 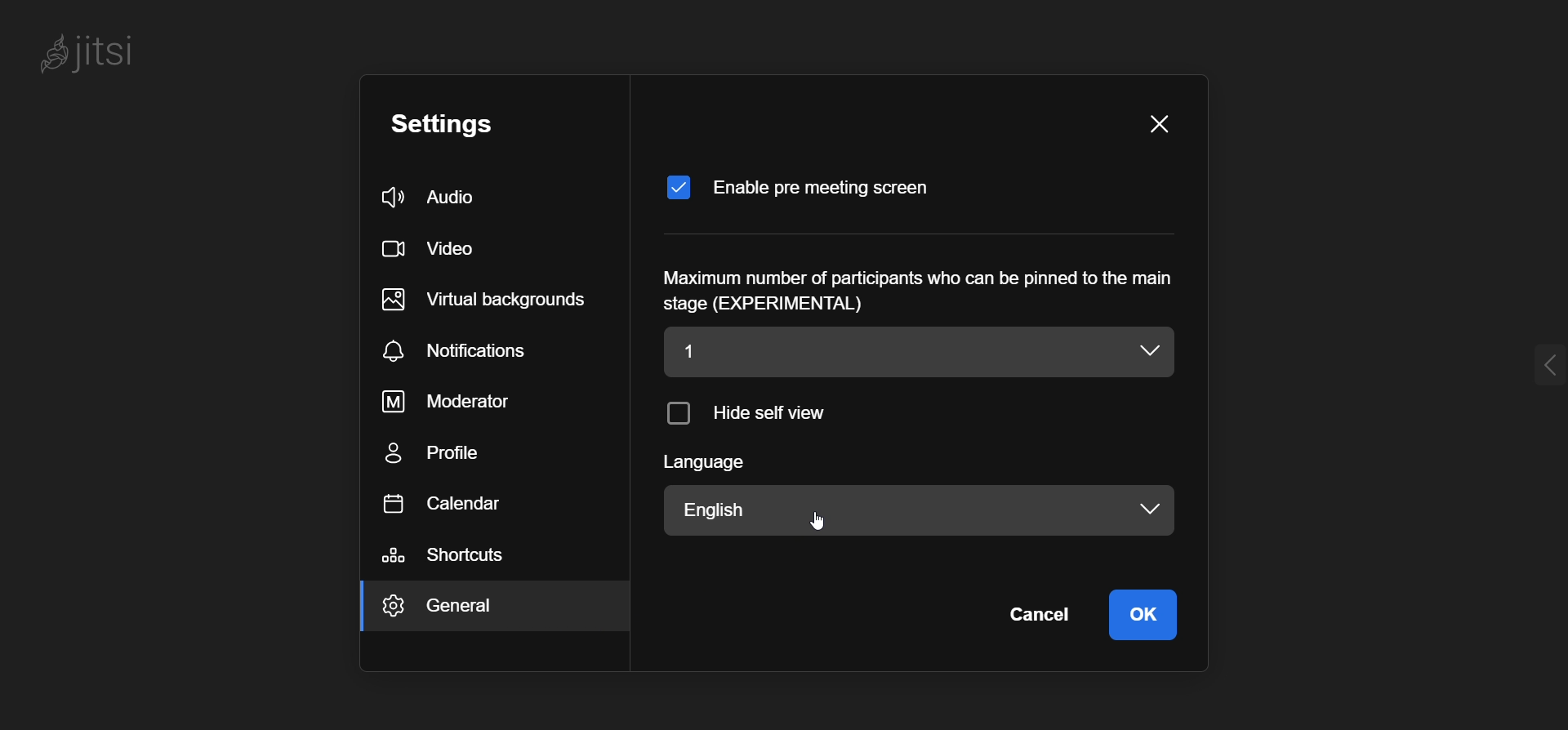 What do you see at coordinates (465, 351) in the screenshot?
I see `notifications` at bounding box center [465, 351].